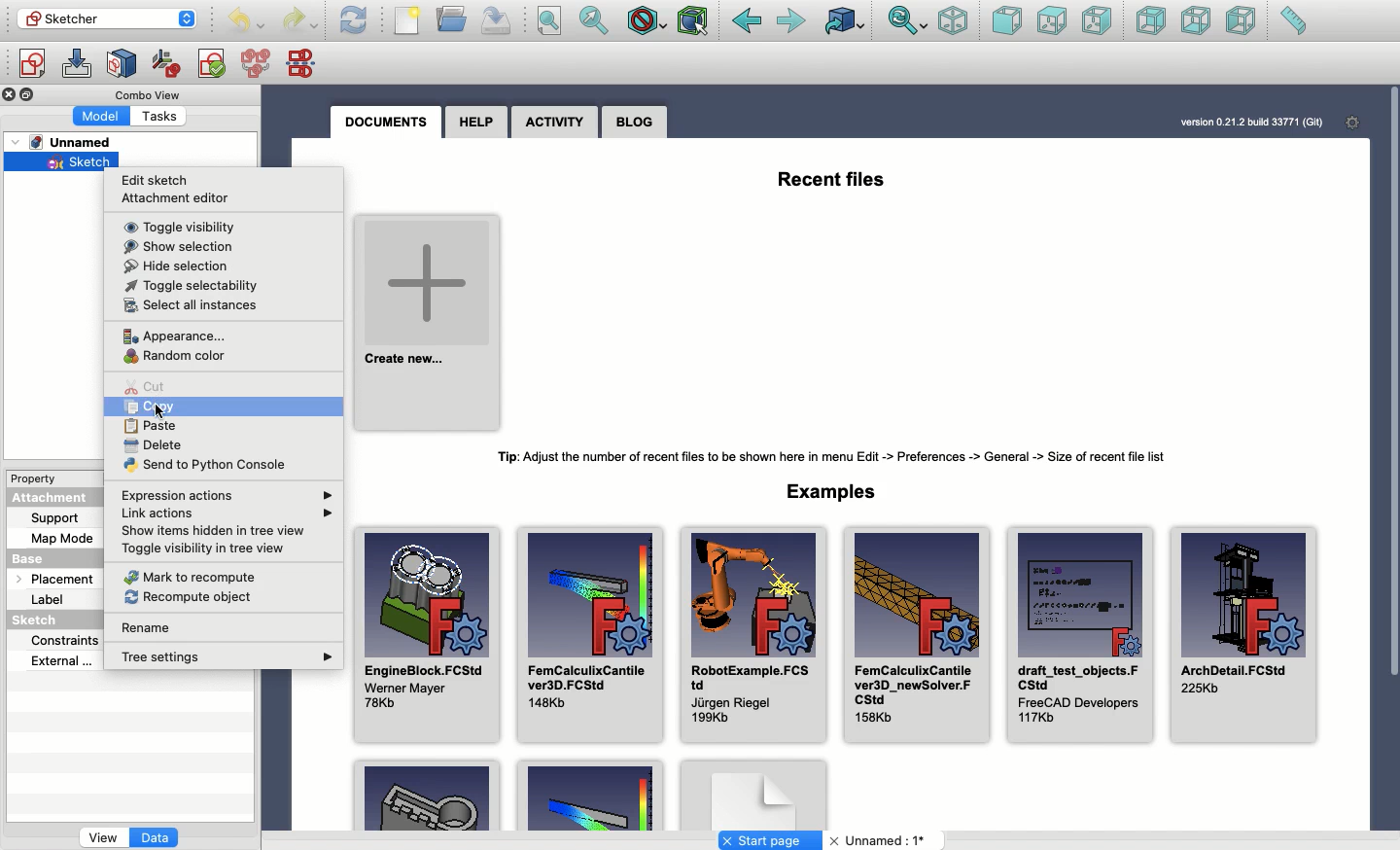 The height and width of the screenshot is (850, 1400). What do you see at coordinates (149, 94) in the screenshot?
I see `Combo View` at bounding box center [149, 94].